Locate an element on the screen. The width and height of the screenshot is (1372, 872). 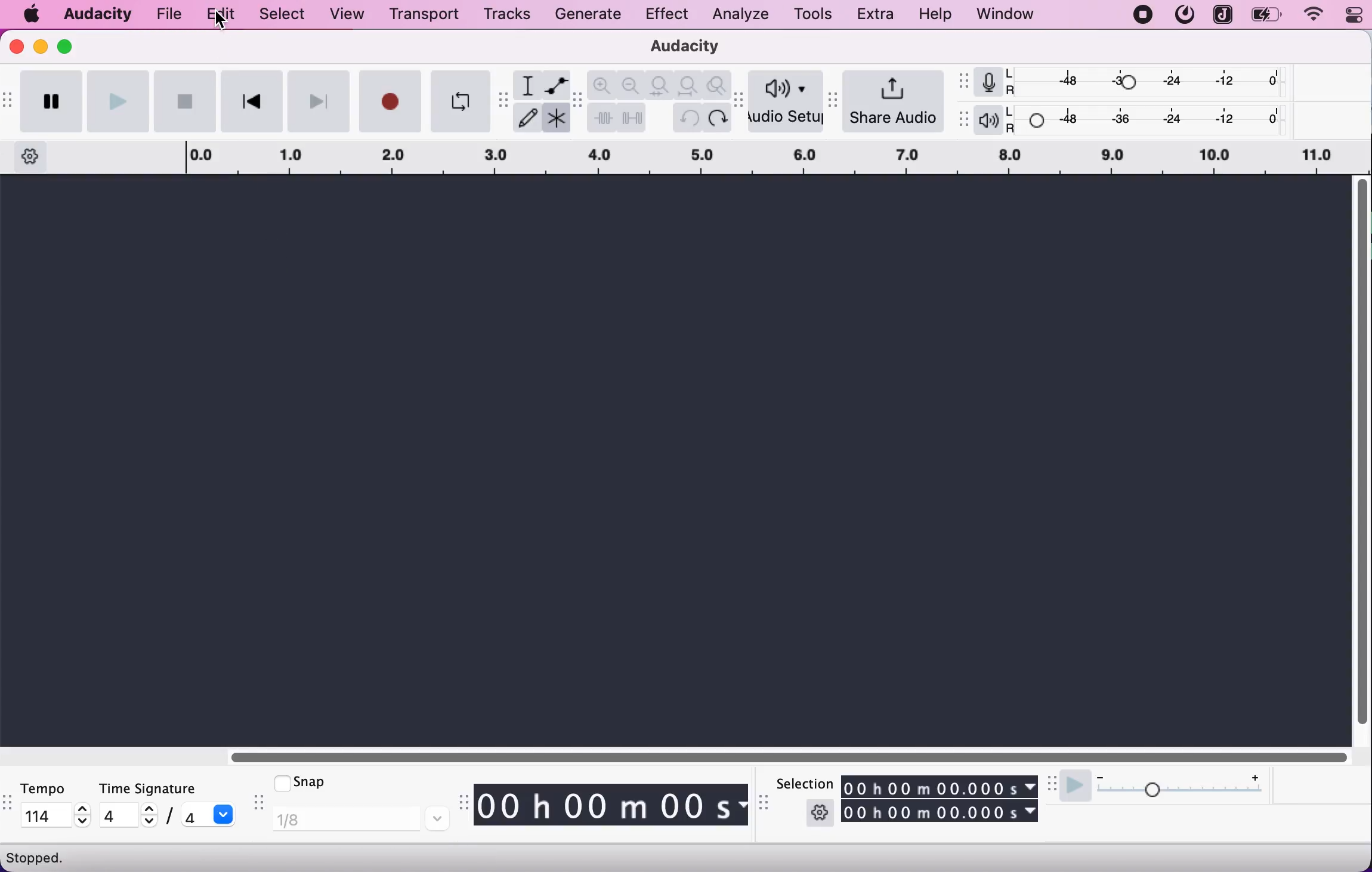
audacity tempo toolbar is located at coordinates (8, 805).